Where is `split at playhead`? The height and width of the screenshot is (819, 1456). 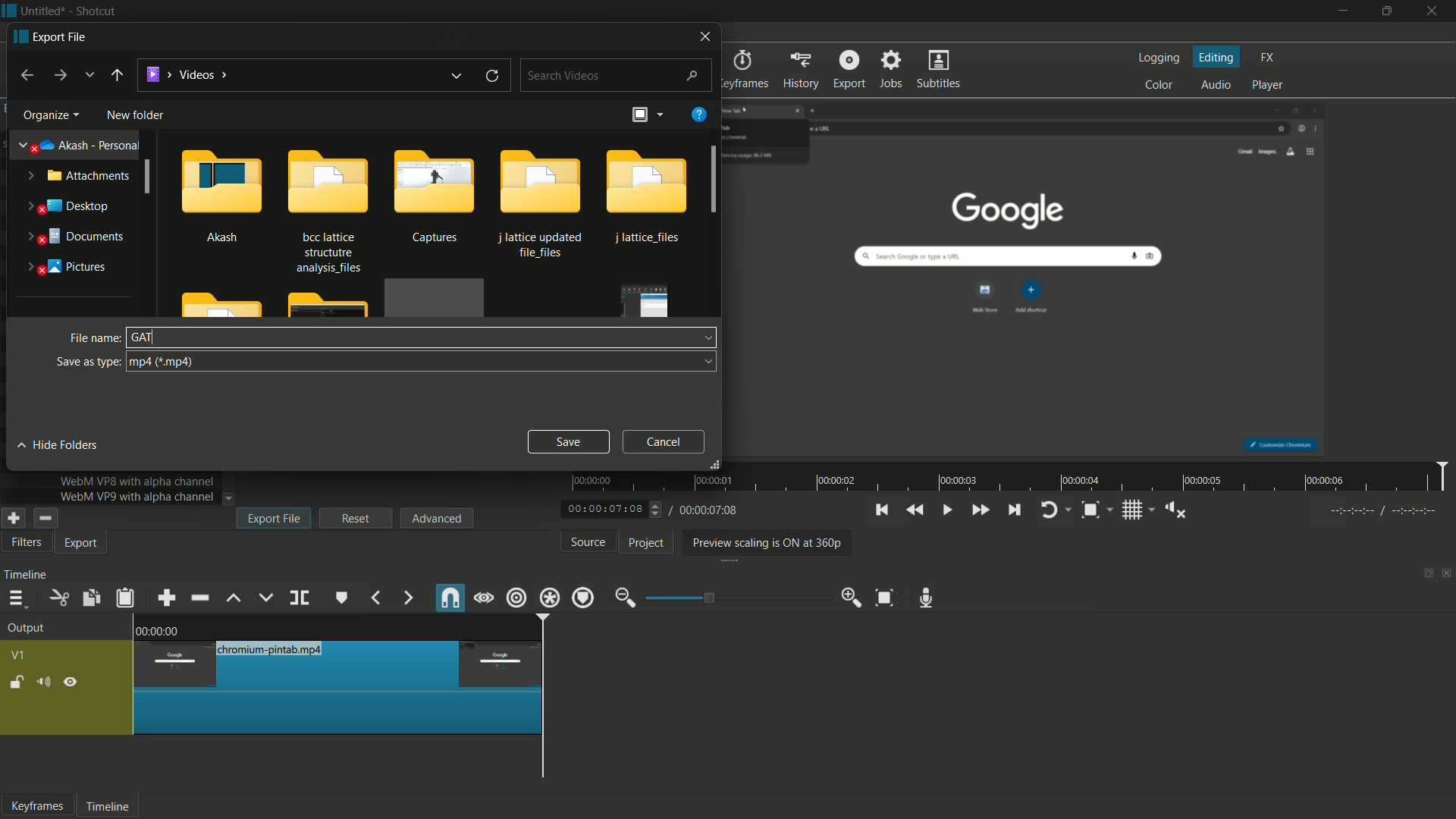
split at playhead is located at coordinates (300, 598).